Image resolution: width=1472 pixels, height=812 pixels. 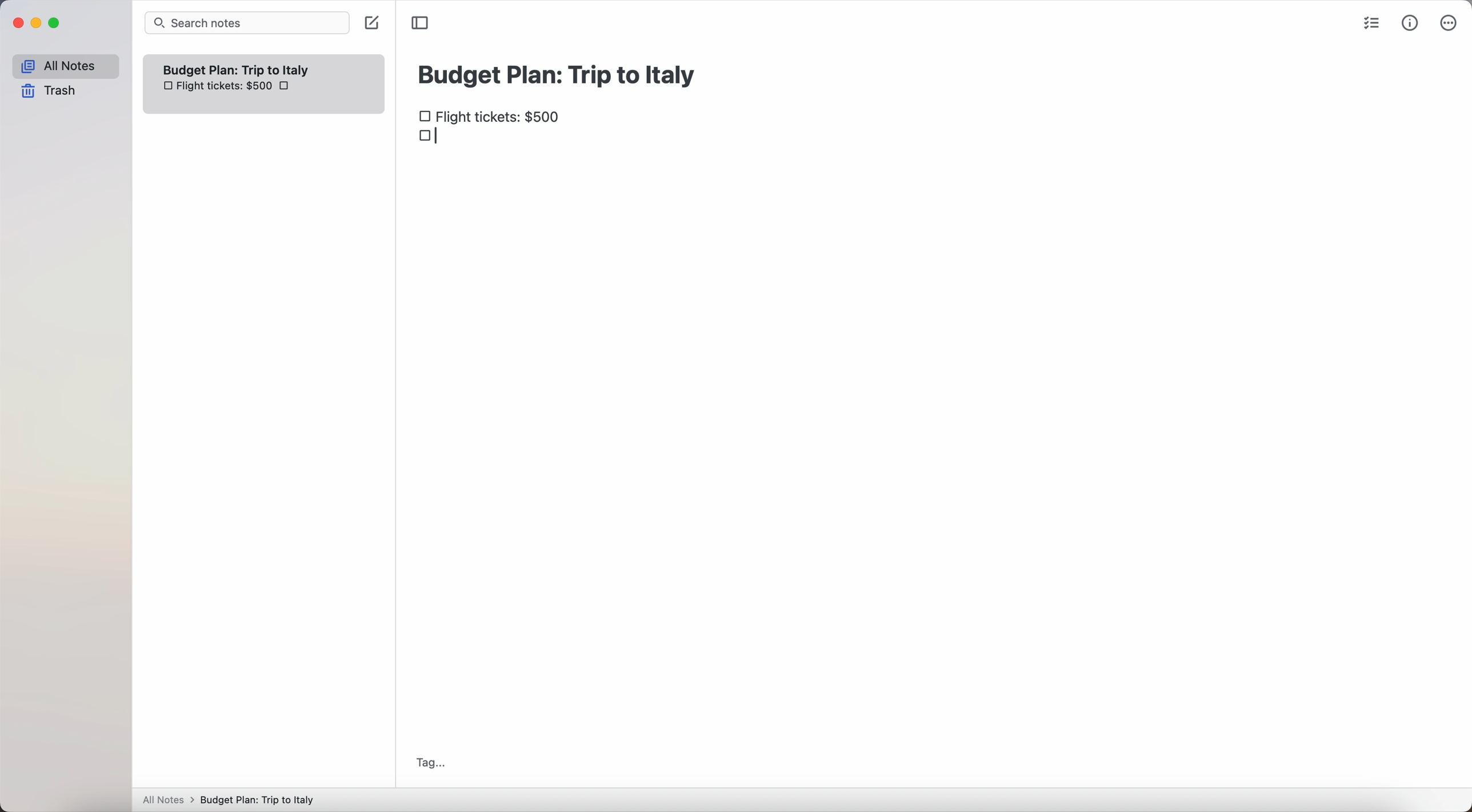 What do you see at coordinates (421, 22) in the screenshot?
I see `toggle sidebar` at bounding box center [421, 22].